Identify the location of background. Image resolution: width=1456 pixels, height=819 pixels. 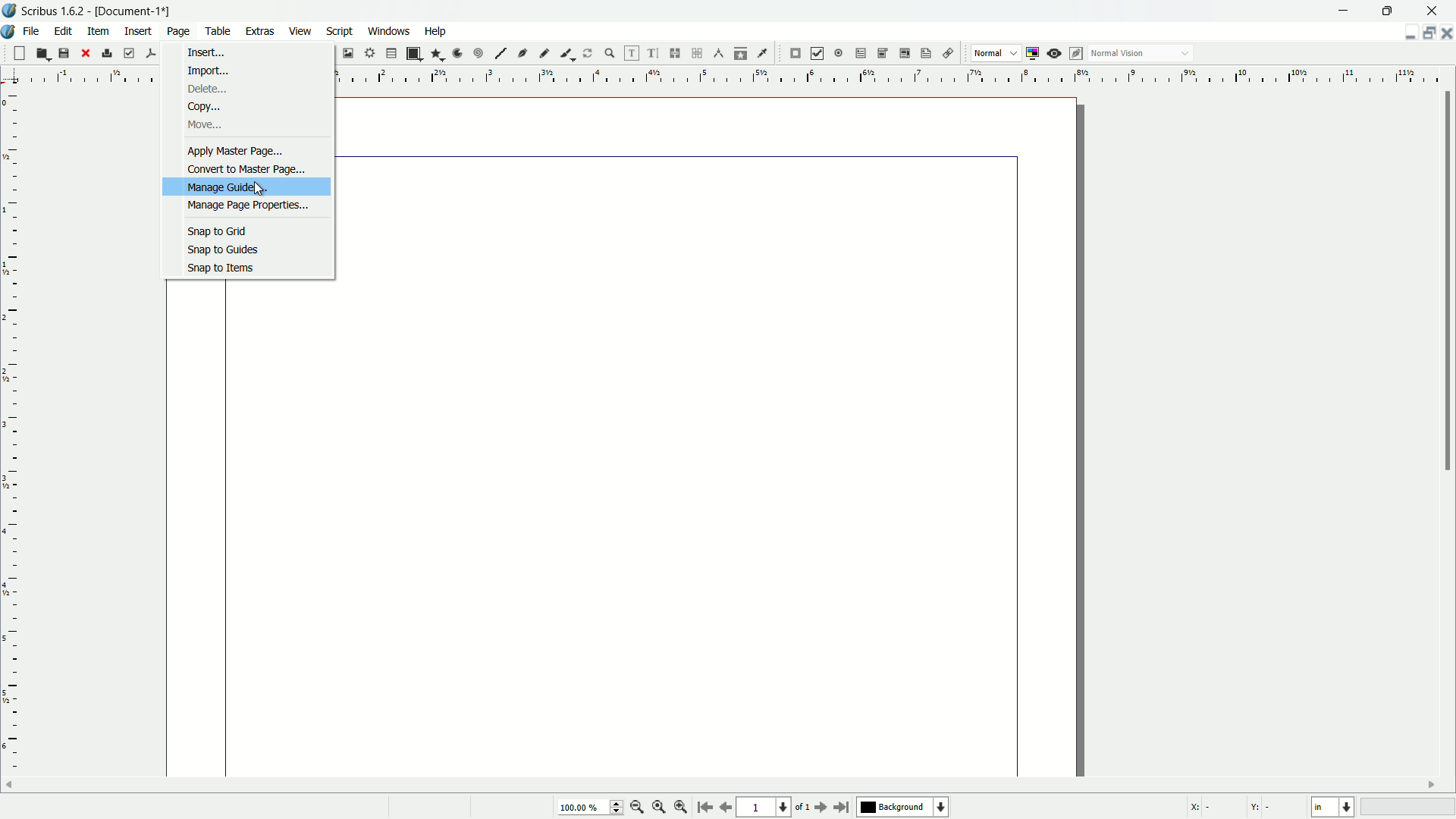
(905, 808).